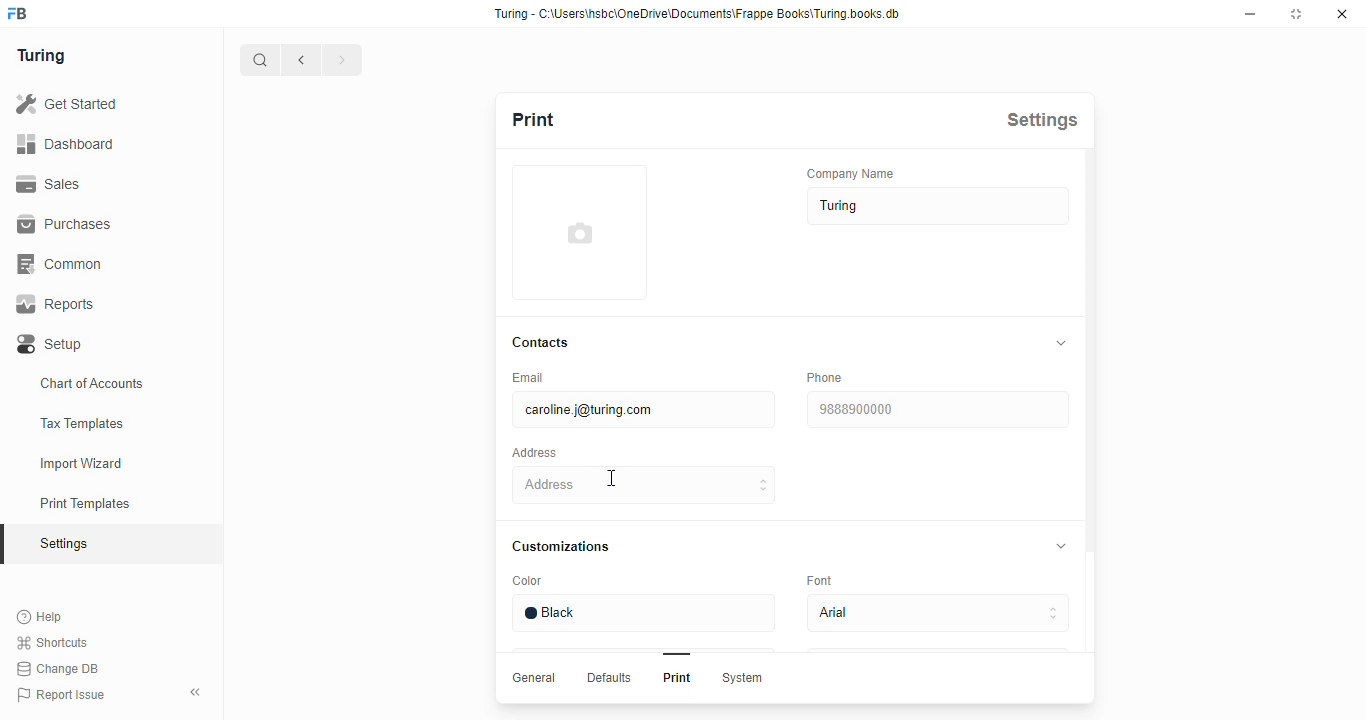 The image size is (1366, 720). Describe the element at coordinates (612, 478) in the screenshot. I see `cursor` at that location.